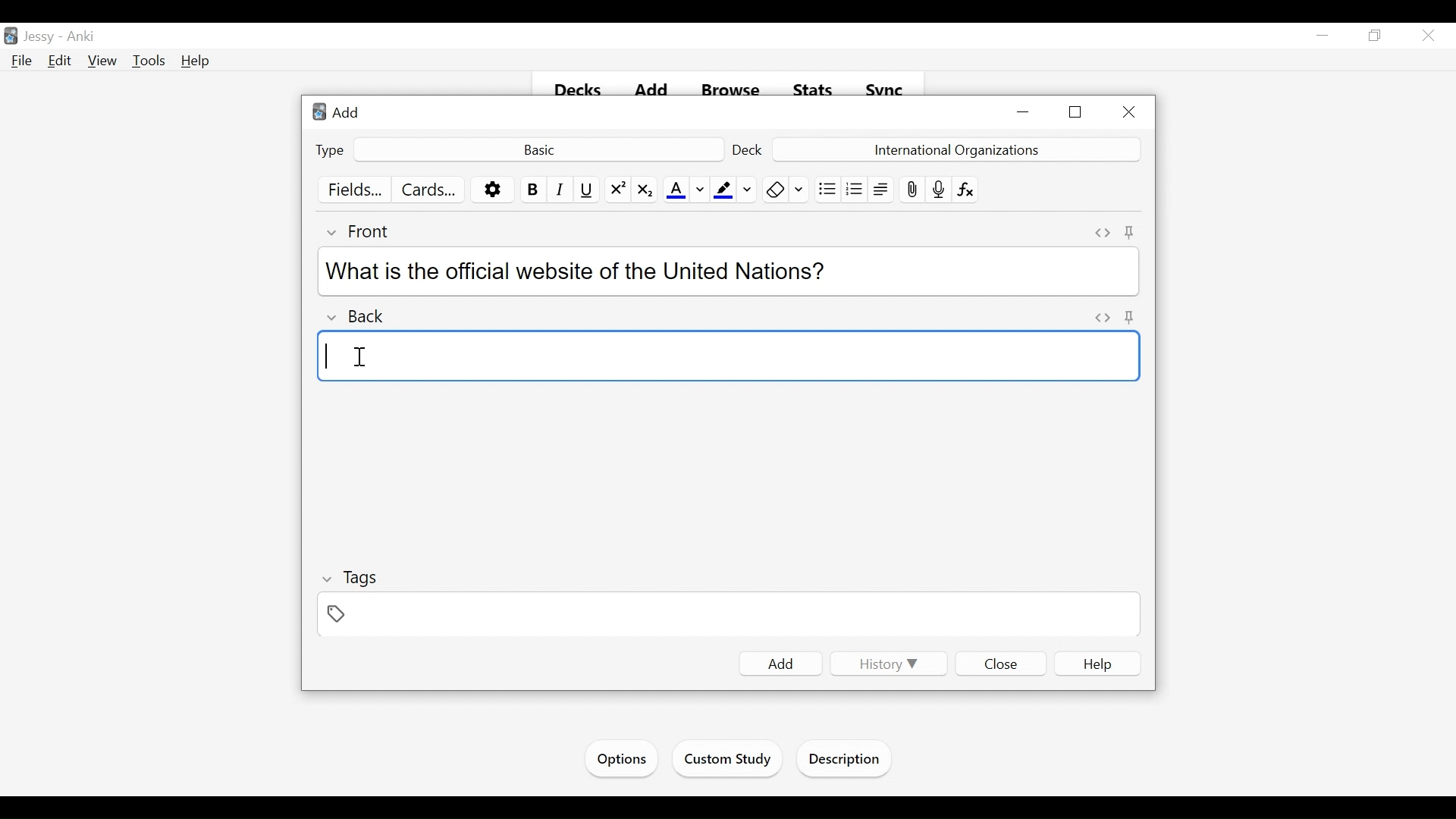 The width and height of the screenshot is (1456, 819). I want to click on Edit, so click(61, 60).